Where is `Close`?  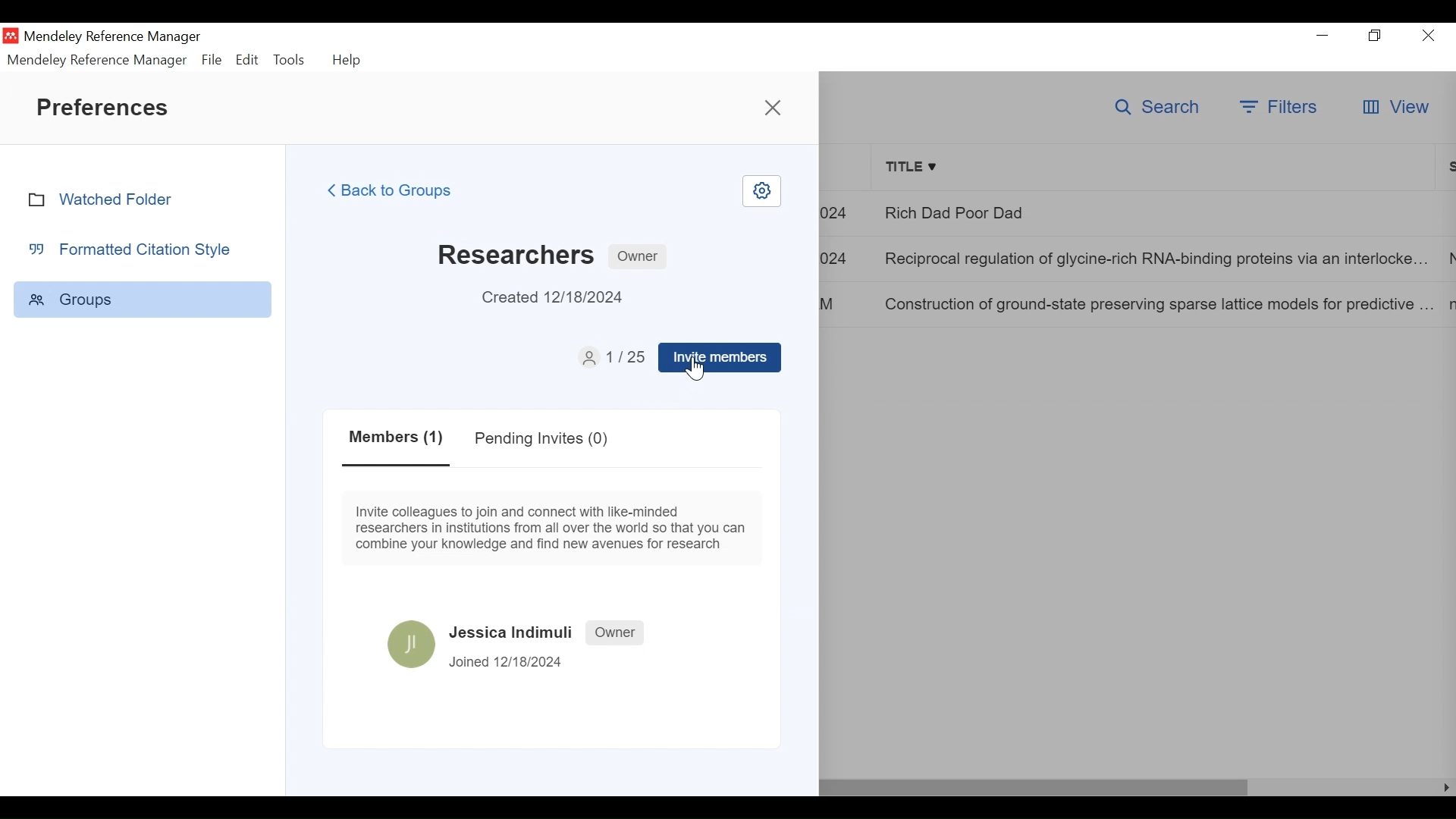 Close is located at coordinates (773, 105).